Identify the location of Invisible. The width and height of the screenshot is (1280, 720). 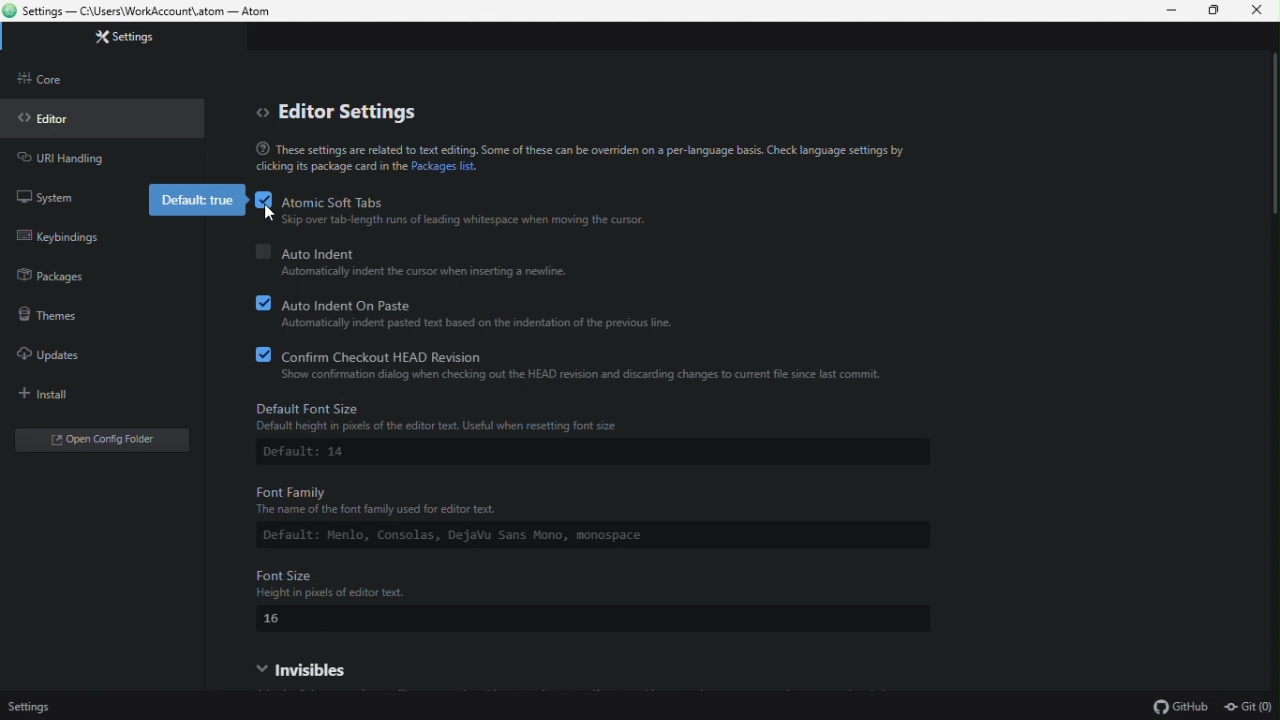
(363, 665).